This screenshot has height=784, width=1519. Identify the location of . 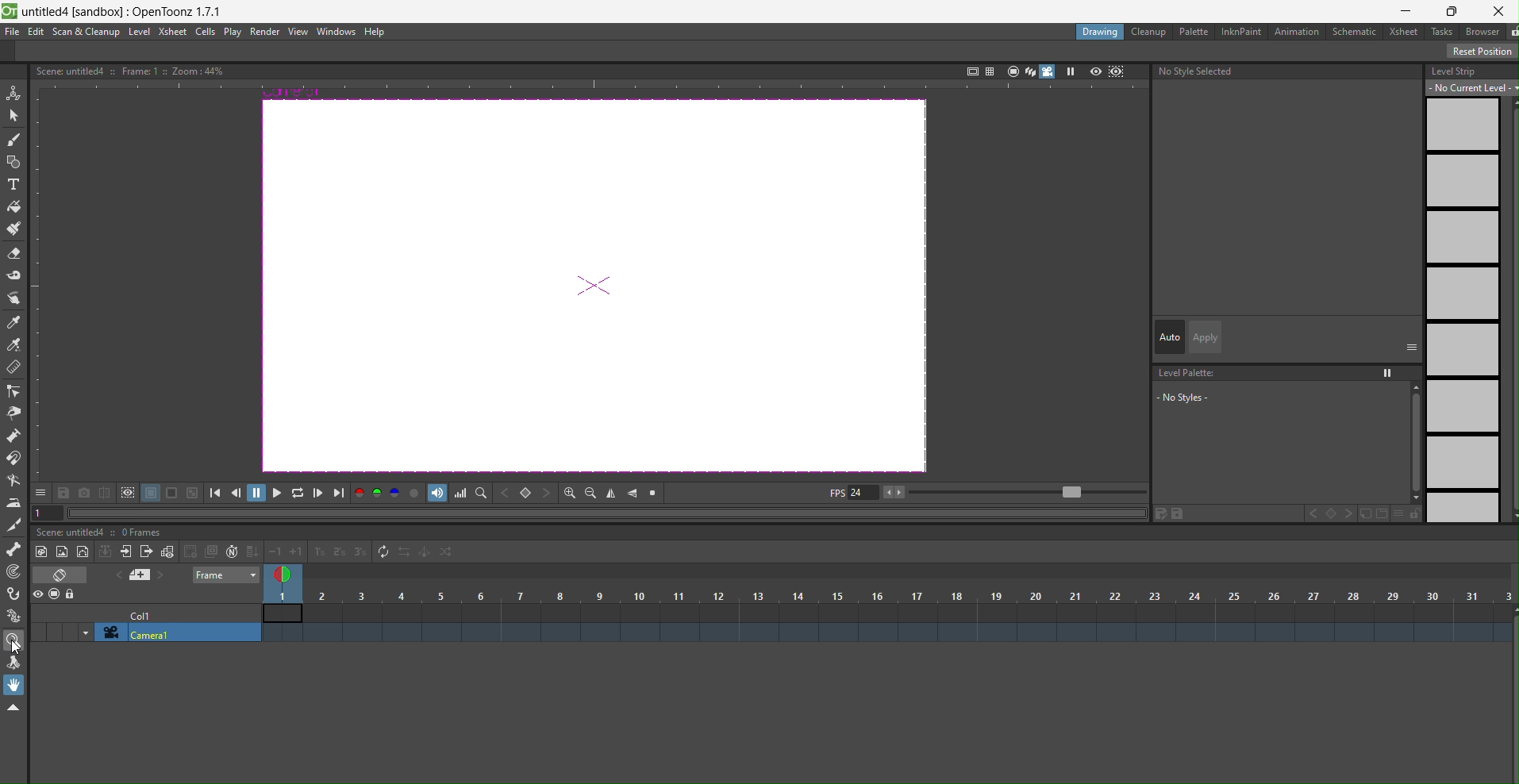
(13, 616).